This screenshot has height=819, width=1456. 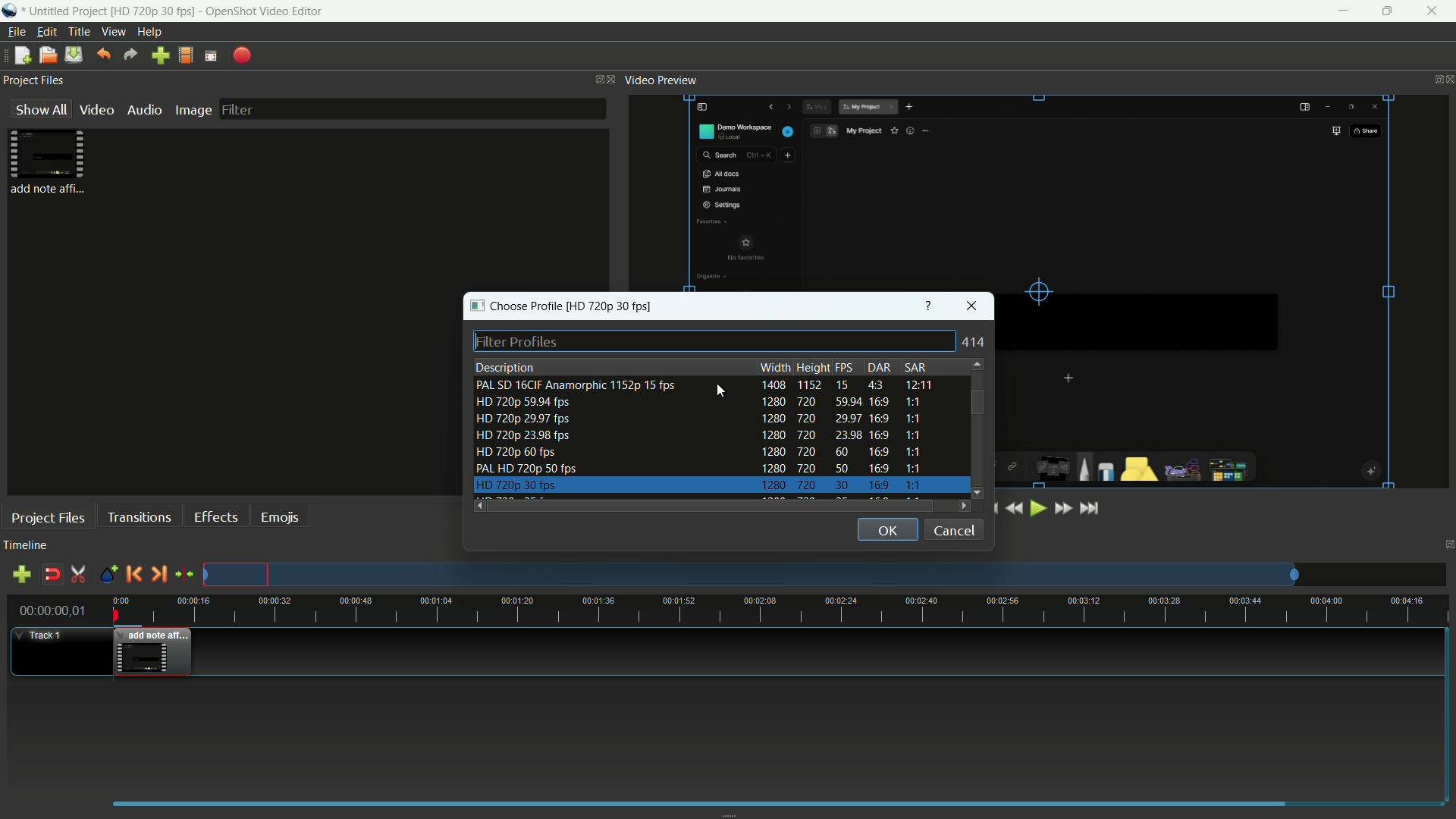 What do you see at coordinates (47, 519) in the screenshot?
I see `project files` at bounding box center [47, 519].